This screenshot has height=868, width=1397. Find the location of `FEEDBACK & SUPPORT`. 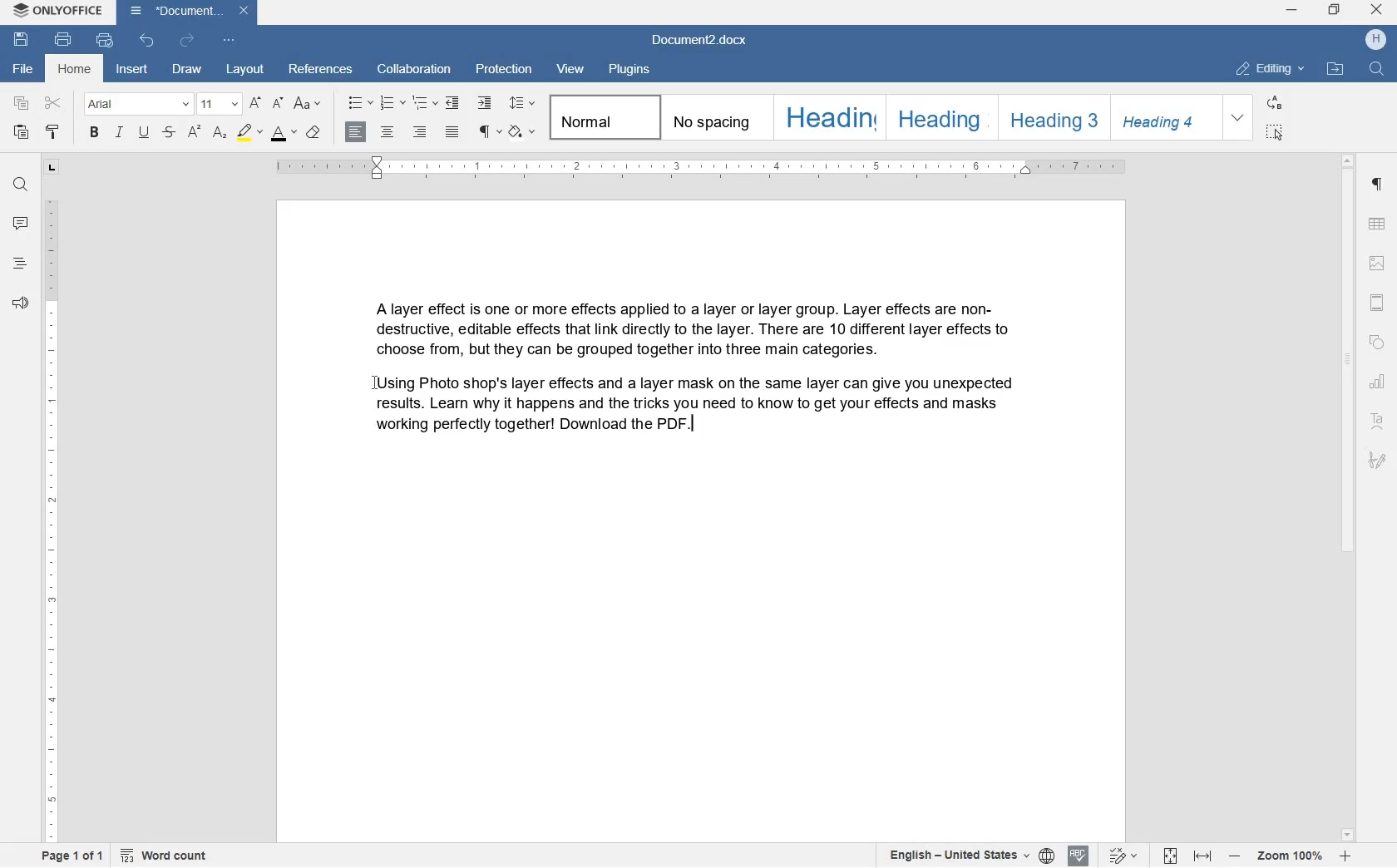

FEEDBACK & SUPPORT is located at coordinates (21, 304).